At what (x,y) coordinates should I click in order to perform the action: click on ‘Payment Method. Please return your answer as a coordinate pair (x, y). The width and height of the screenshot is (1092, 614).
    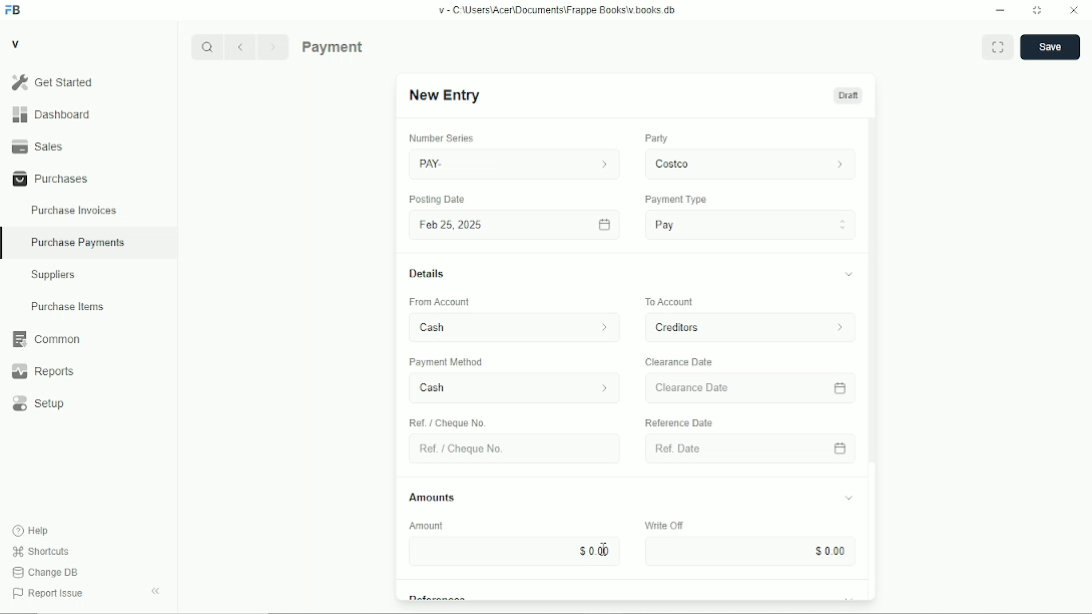
    Looking at the image, I should click on (454, 364).